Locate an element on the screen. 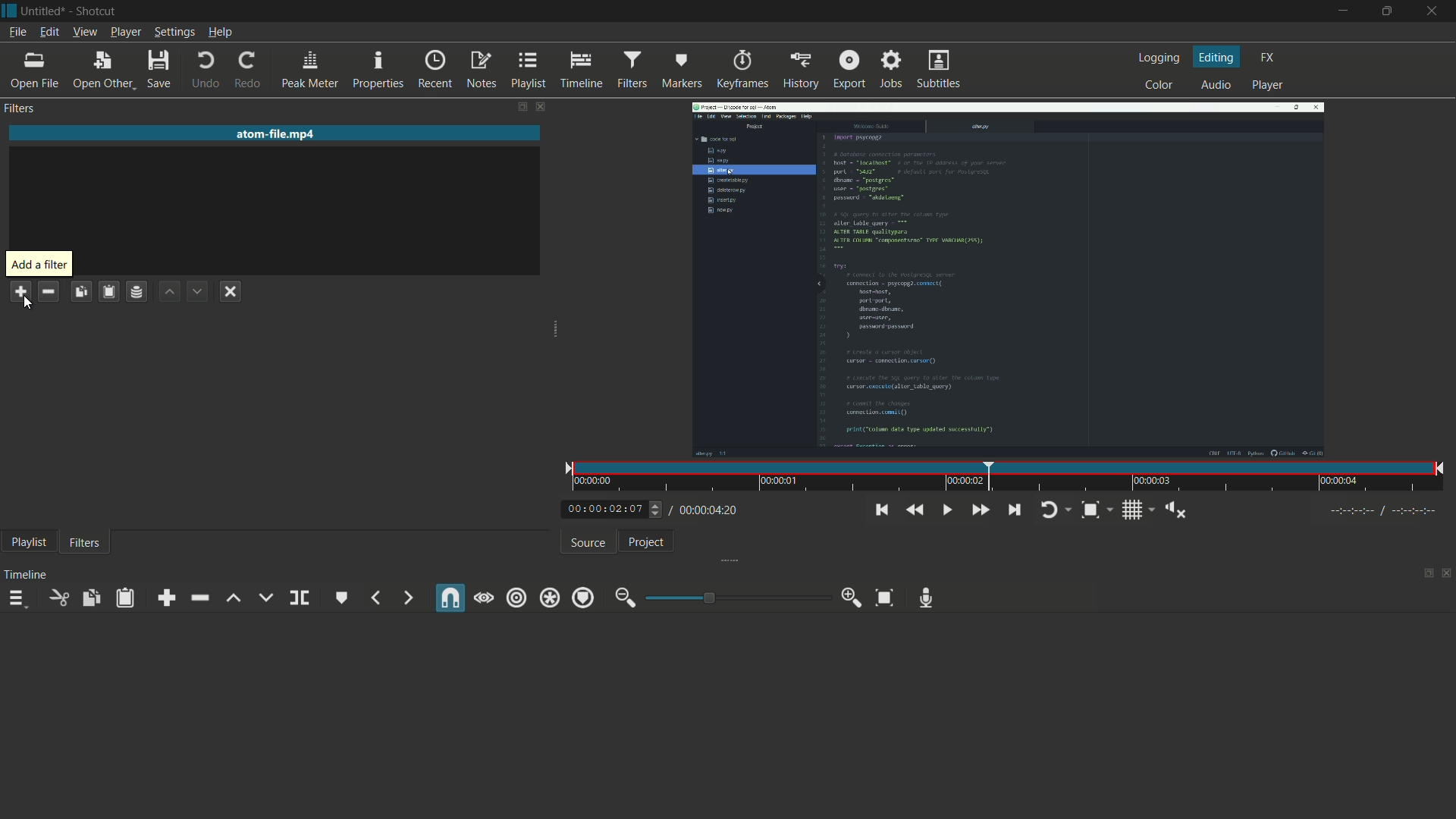 This screenshot has width=1456, height=819. split at playhead is located at coordinates (300, 598).